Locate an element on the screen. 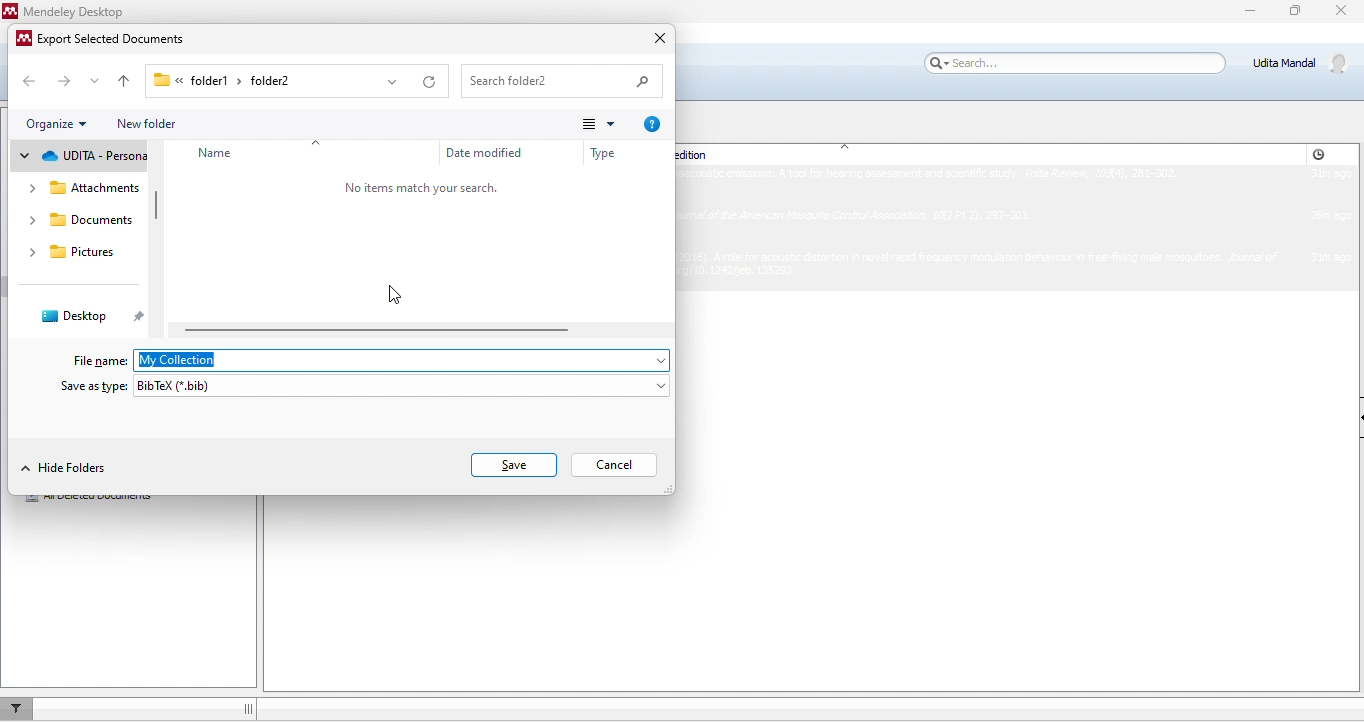 This screenshot has height=722, width=1364. search is located at coordinates (1071, 63).